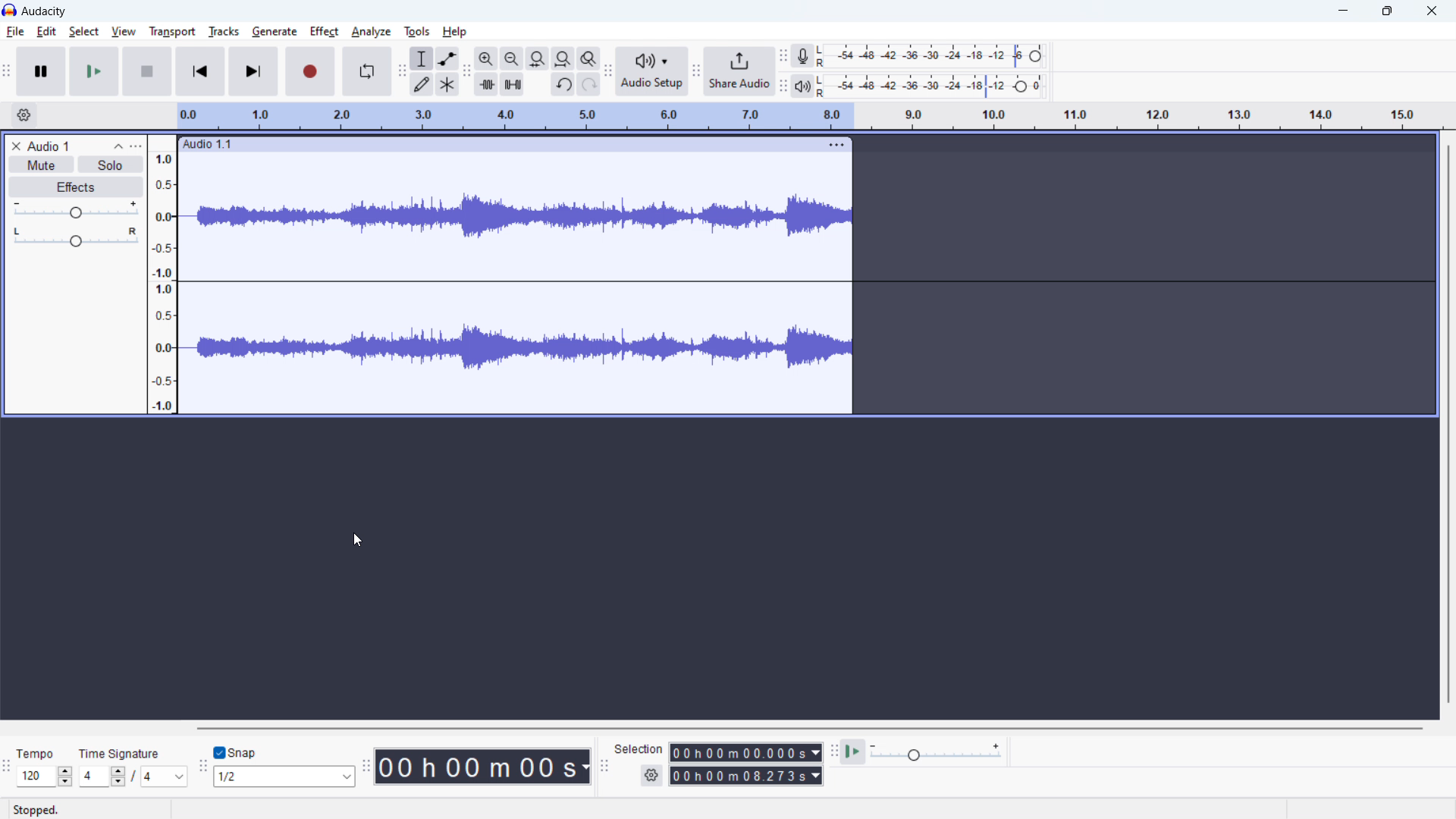 The height and width of the screenshot is (819, 1456). Describe the element at coordinates (745, 776) in the screenshot. I see `end time` at that location.